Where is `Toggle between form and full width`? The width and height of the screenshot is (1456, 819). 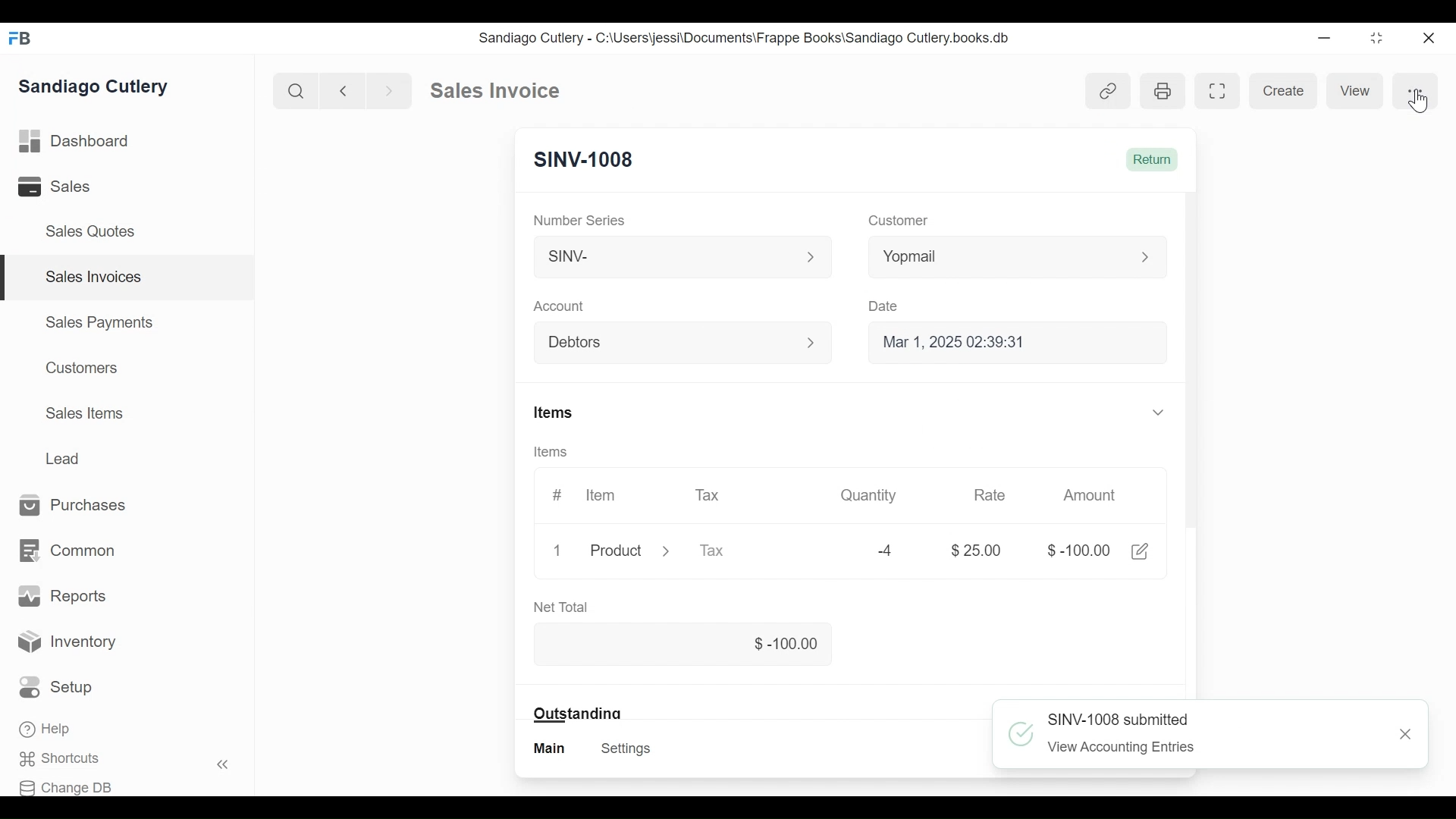 Toggle between form and full width is located at coordinates (1377, 39).